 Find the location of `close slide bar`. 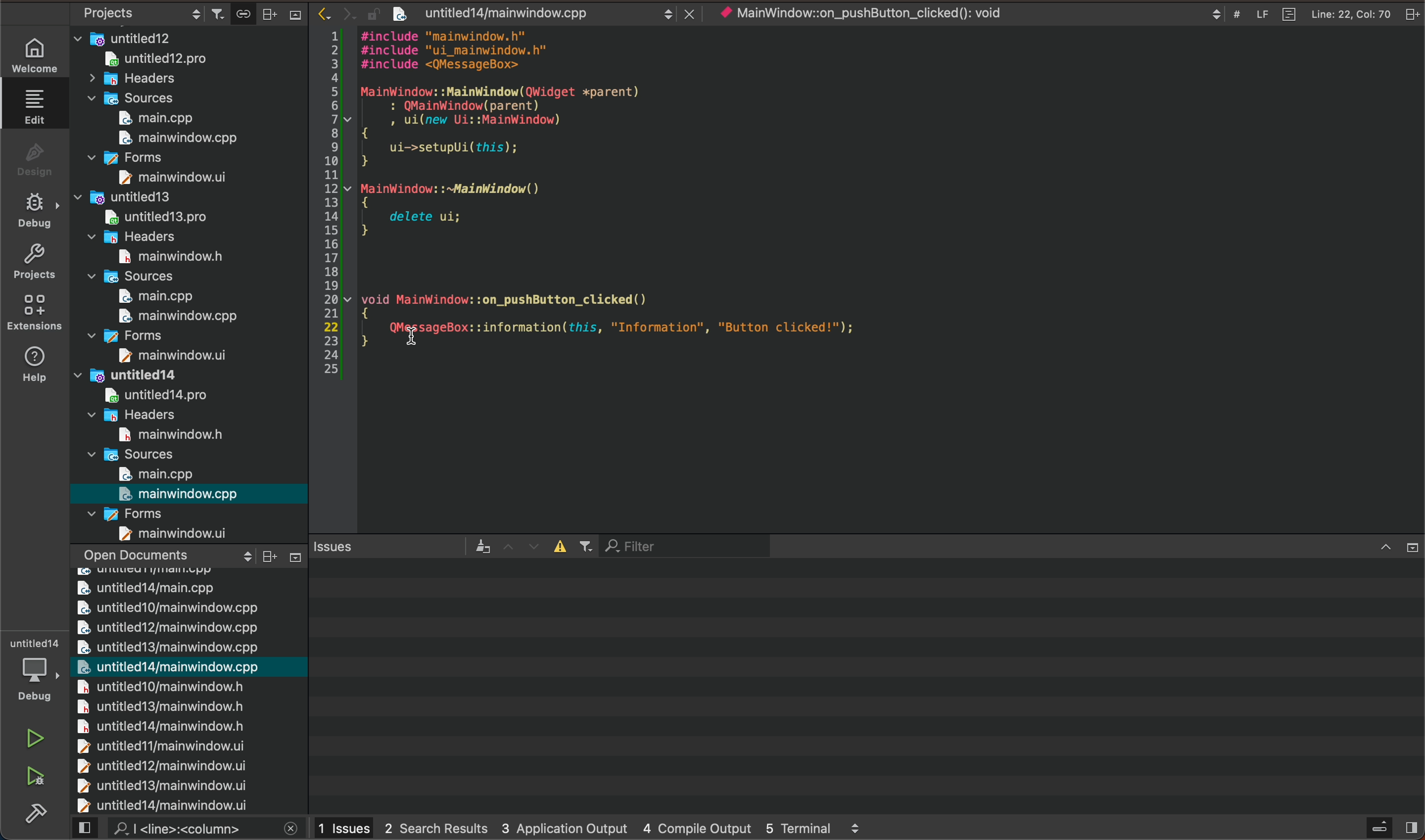

close slide bar is located at coordinates (1394, 547).